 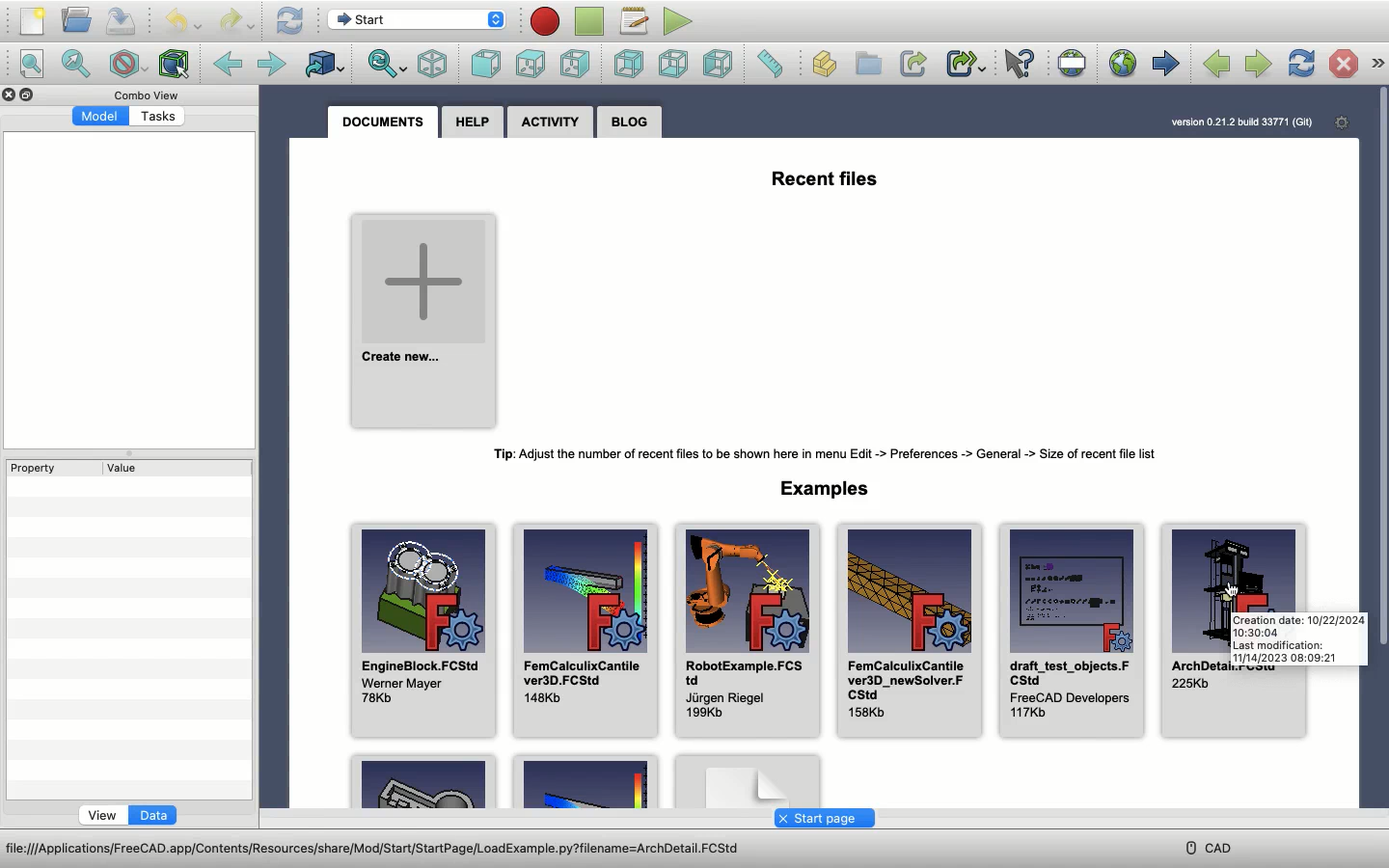 What do you see at coordinates (1376, 64) in the screenshot?
I see `Navigation` at bounding box center [1376, 64].